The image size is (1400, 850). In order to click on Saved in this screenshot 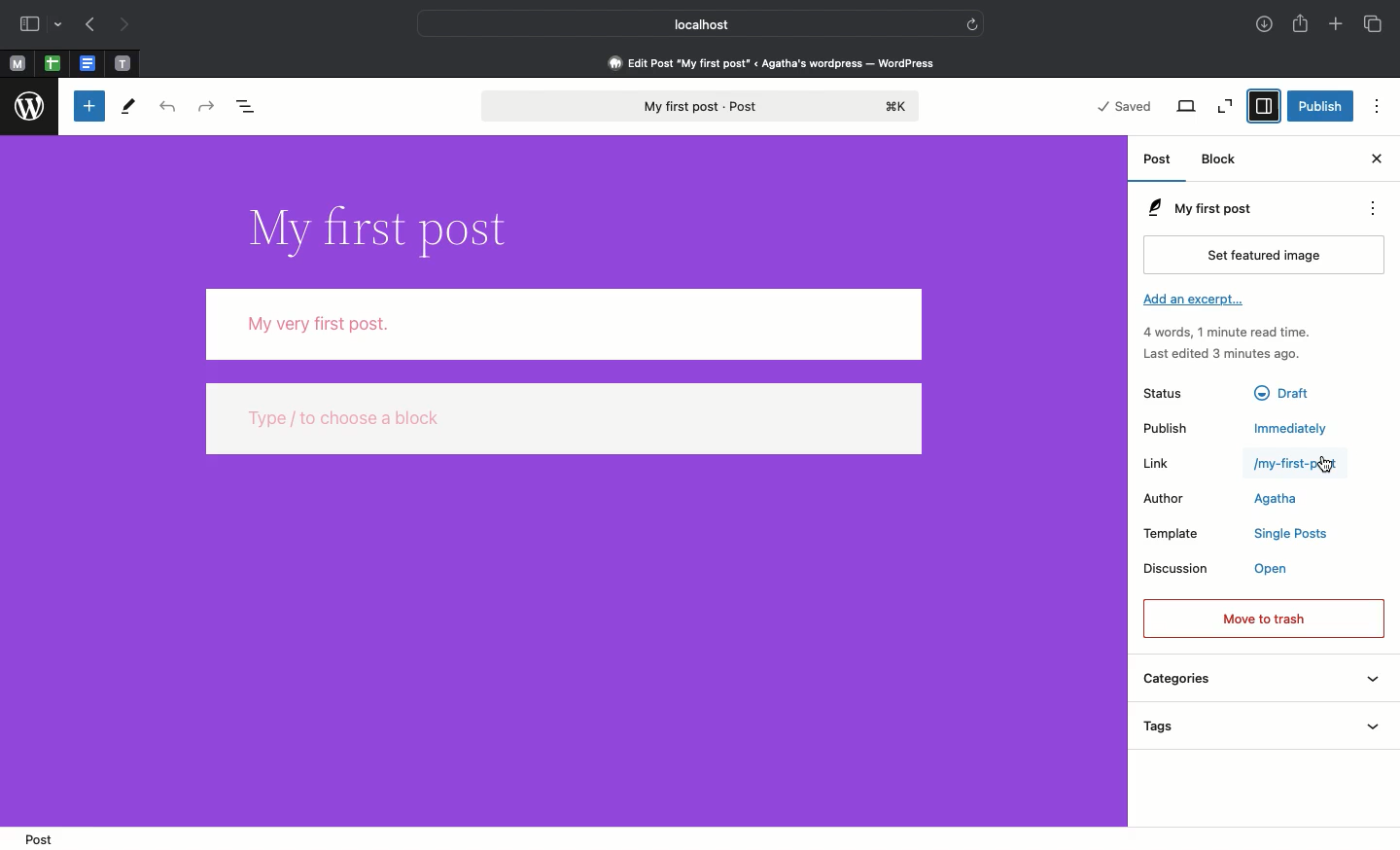, I will do `click(1125, 106)`.